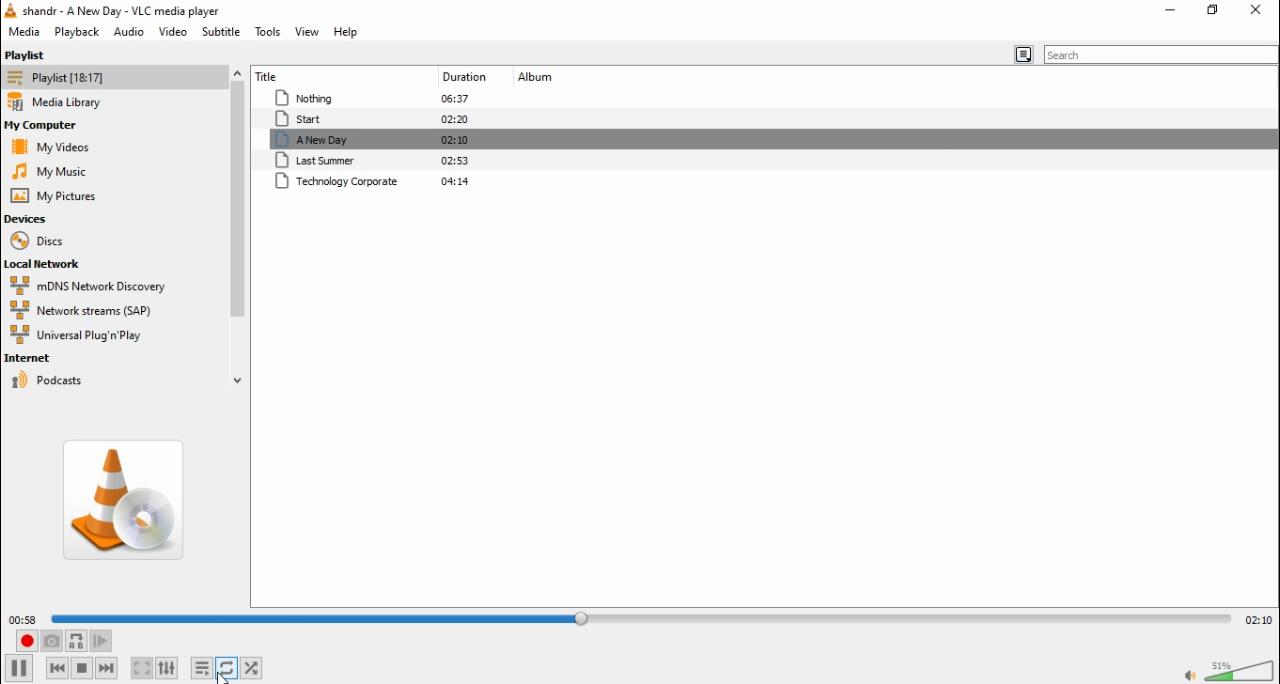 Image resolution: width=1280 pixels, height=684 pixels. Describe the element at coordinates (54, 146) in the screenshot. I see `my videos` at that location.